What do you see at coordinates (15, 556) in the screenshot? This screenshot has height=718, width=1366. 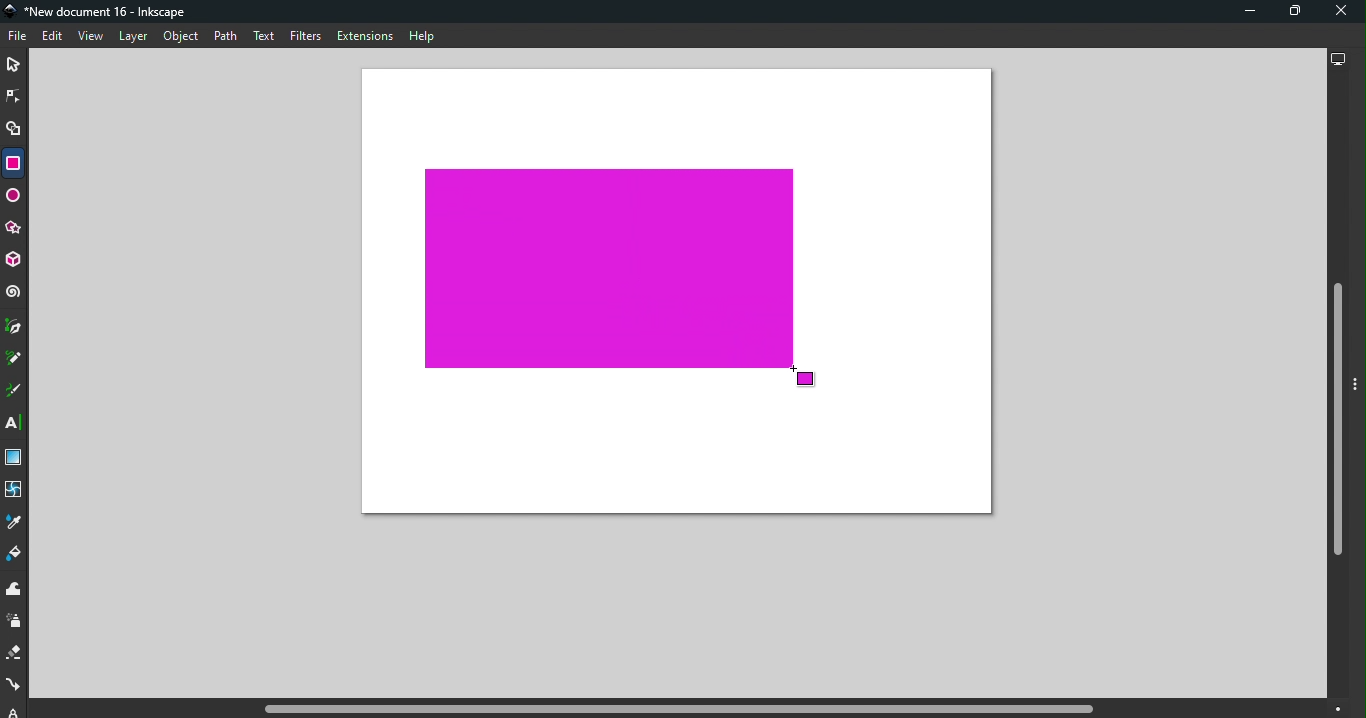 I see `Paint bucket tool` at bounding box center [15, 556].